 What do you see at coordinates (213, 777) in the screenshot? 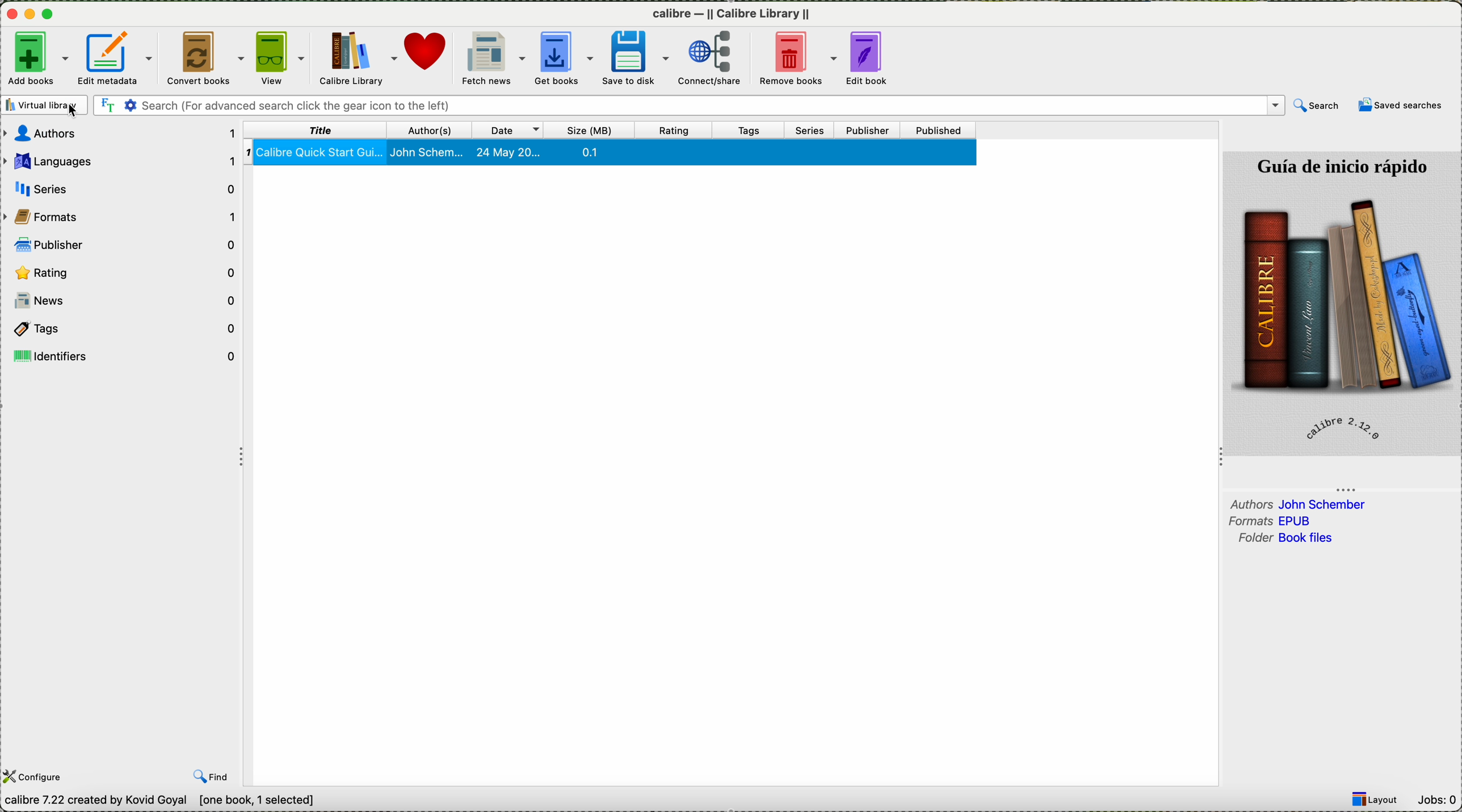
I see `find` at bounding box center [213, 777].